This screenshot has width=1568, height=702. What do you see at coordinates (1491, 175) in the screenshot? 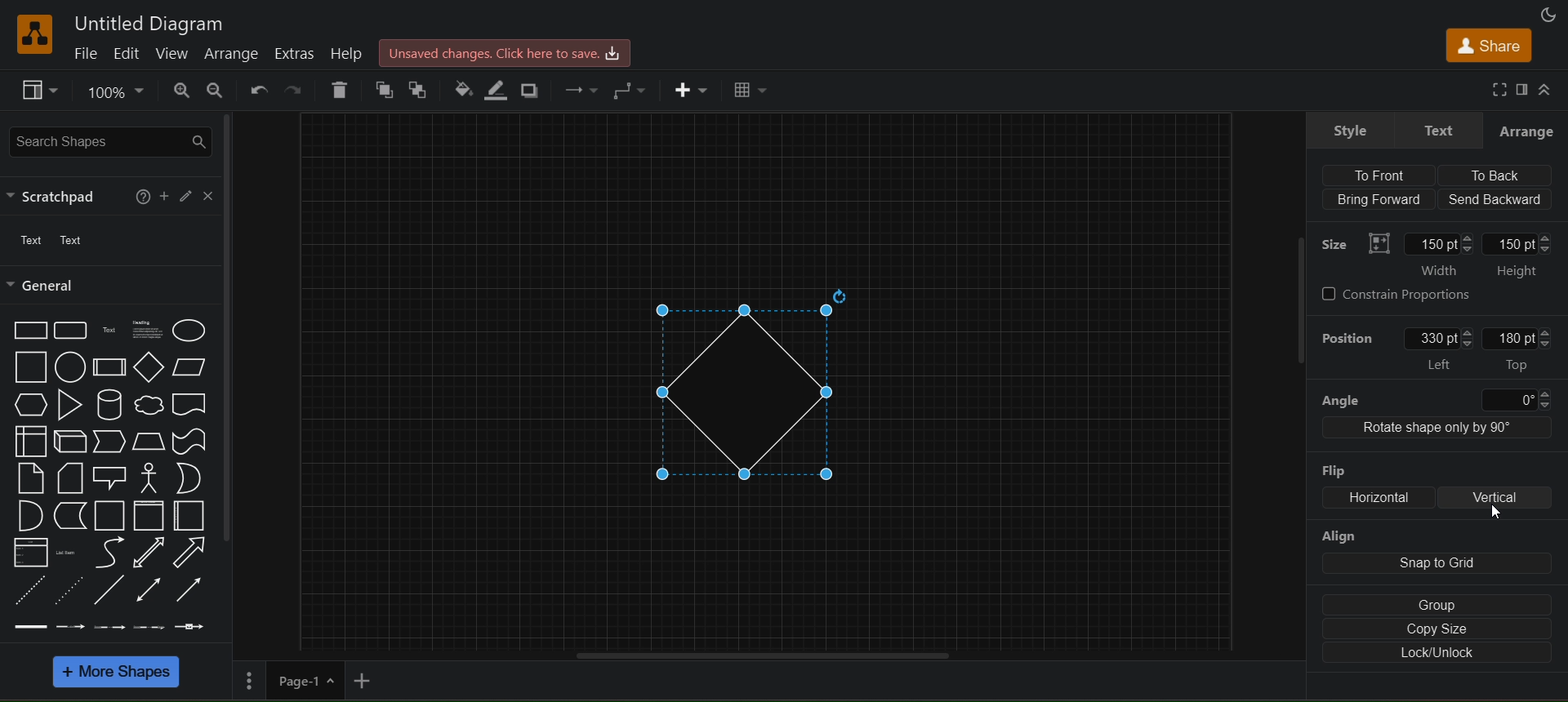
I see `to back` at bounding box center [1491, 175].